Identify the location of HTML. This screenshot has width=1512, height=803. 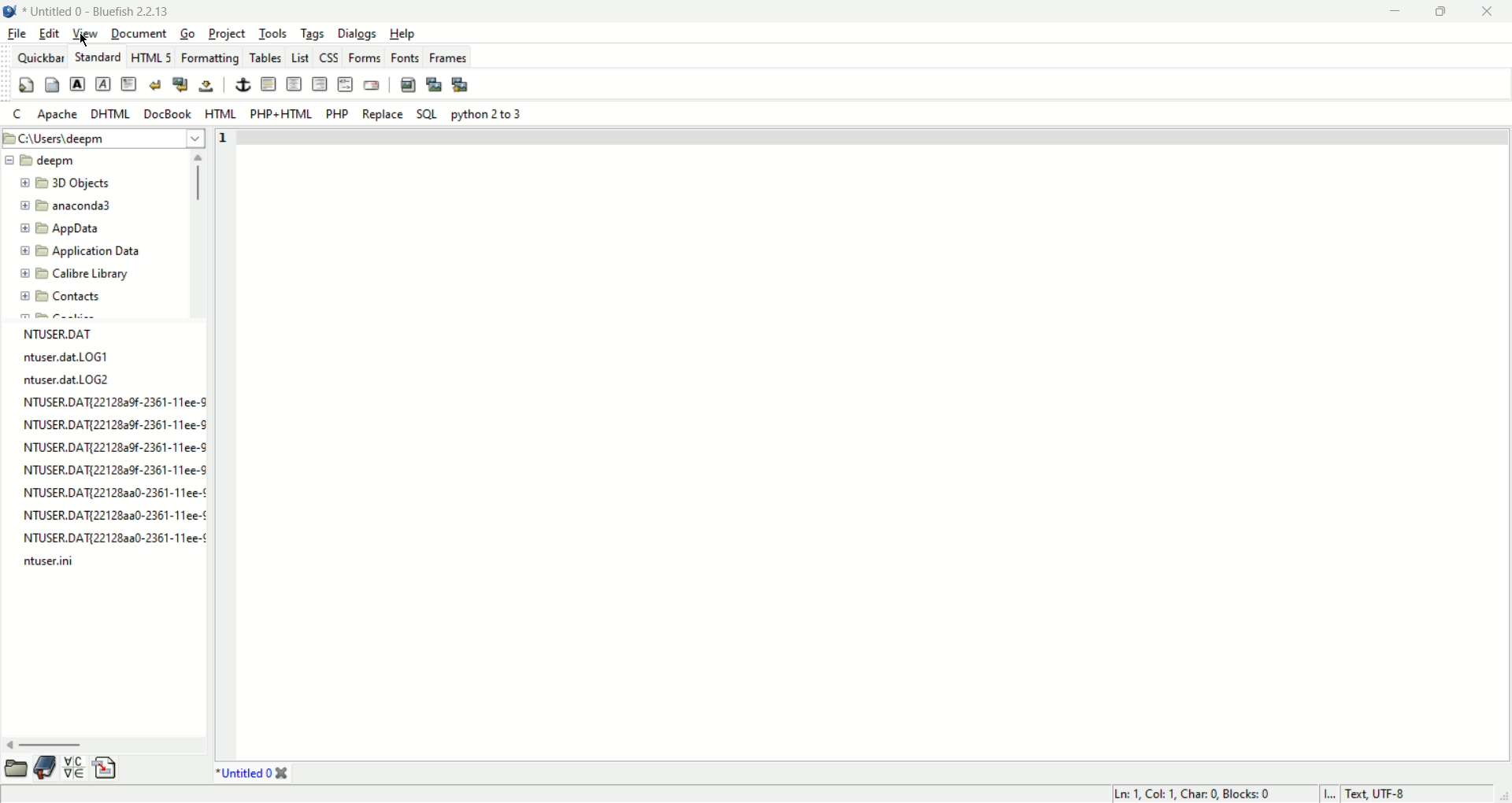
(221, 113).